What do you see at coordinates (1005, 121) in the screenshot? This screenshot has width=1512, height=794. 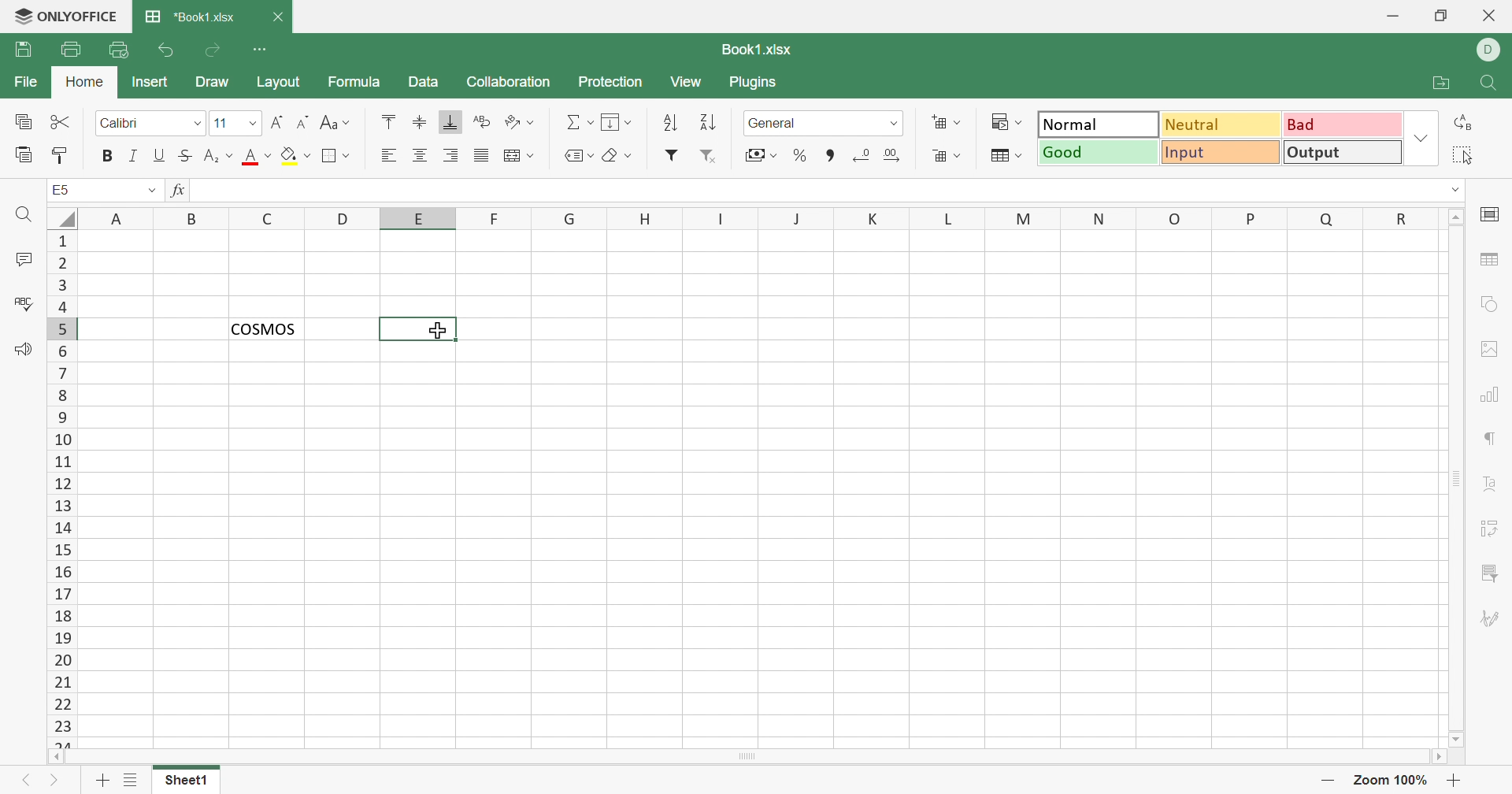 I see `Conditional formatting` at bounding box center [1005, 121].